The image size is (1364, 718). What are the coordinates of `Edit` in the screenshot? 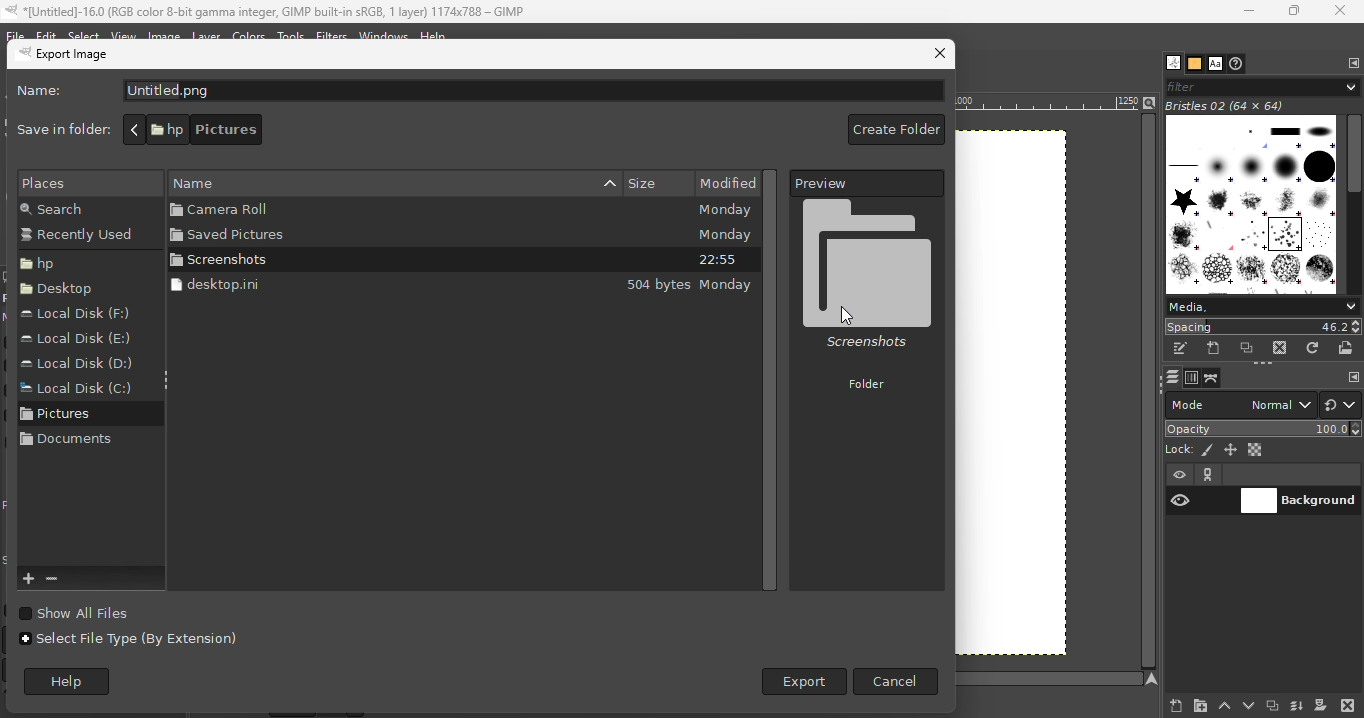 It's located at (45, 33).